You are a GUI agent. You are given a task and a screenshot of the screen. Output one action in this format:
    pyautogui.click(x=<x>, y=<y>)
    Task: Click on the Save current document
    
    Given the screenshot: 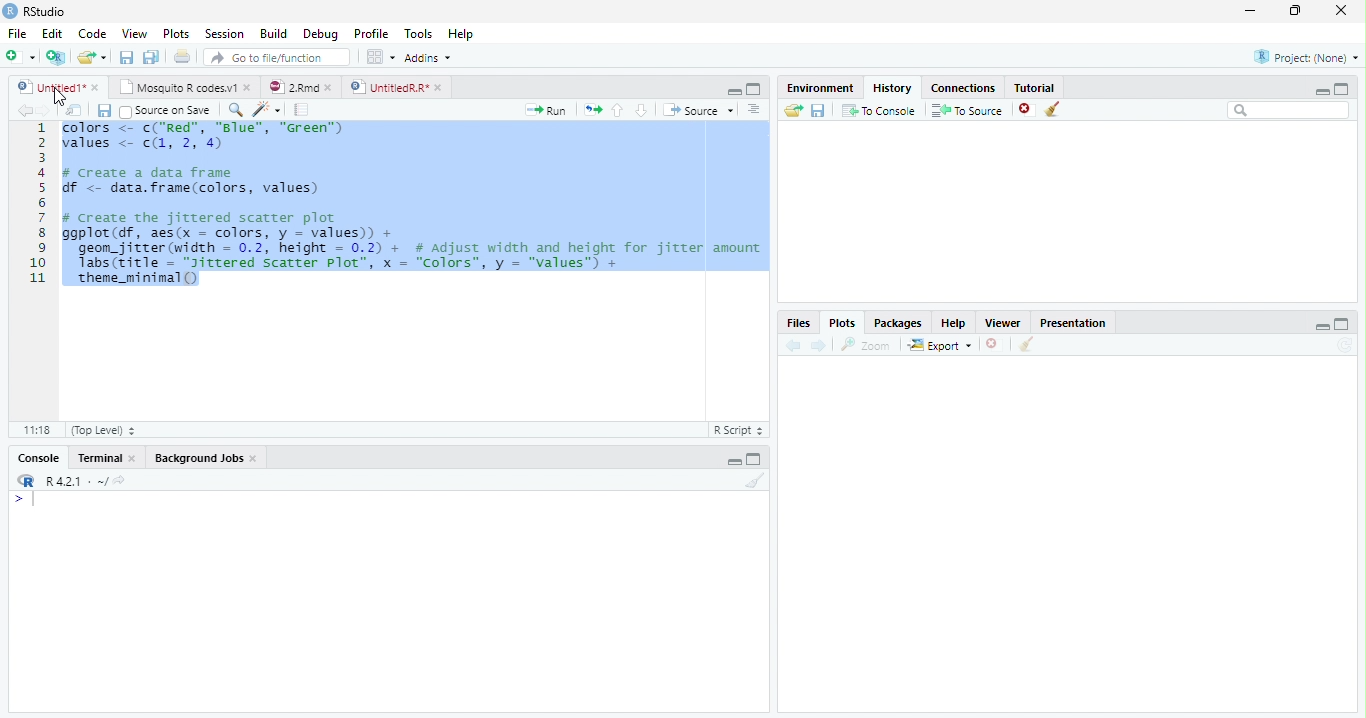 What is the action you would take?
    pyautogui.click(x=127, y=57)
    